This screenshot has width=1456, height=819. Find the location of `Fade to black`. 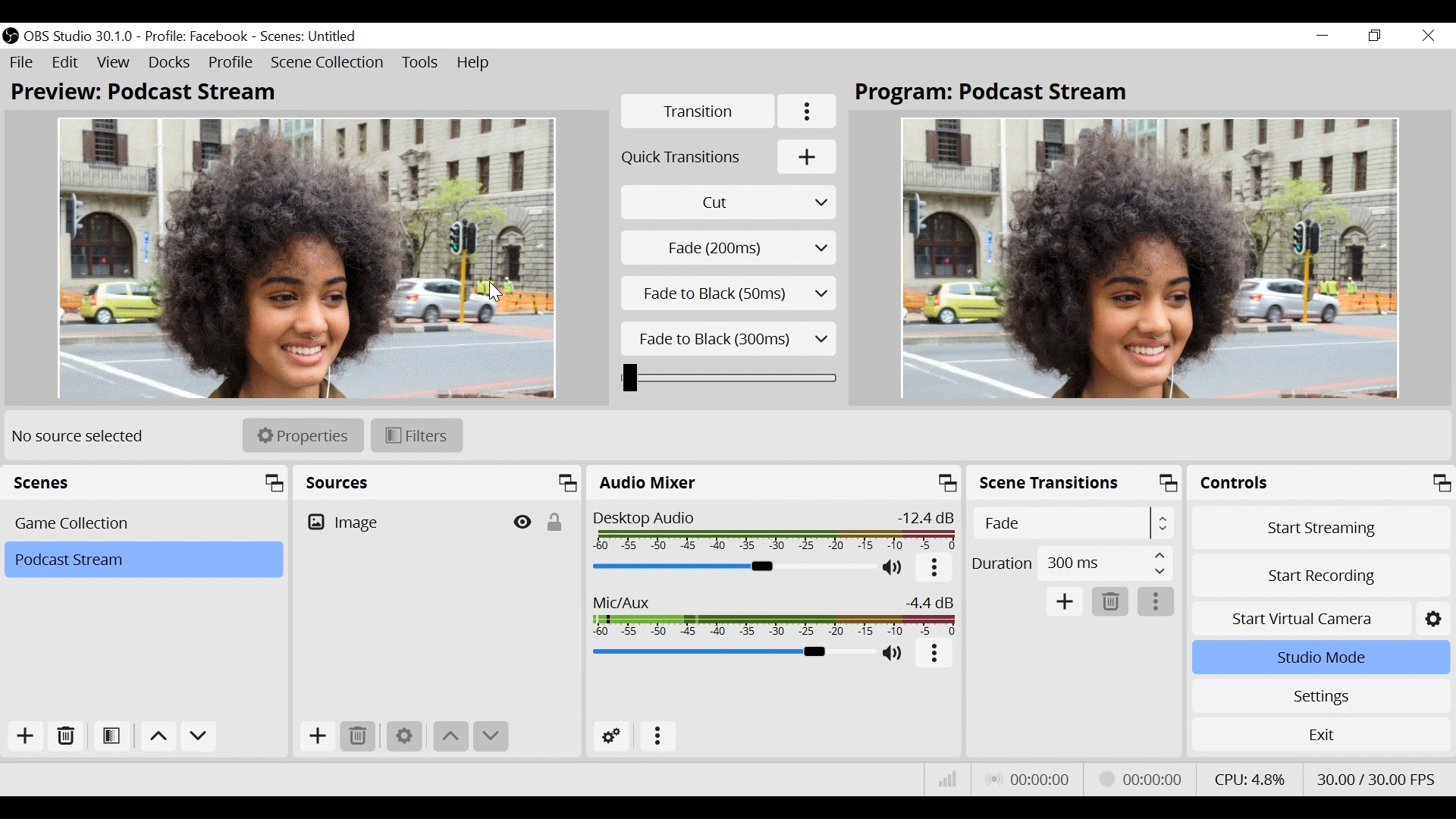

Fade to black is located at coordinates (730, 293).